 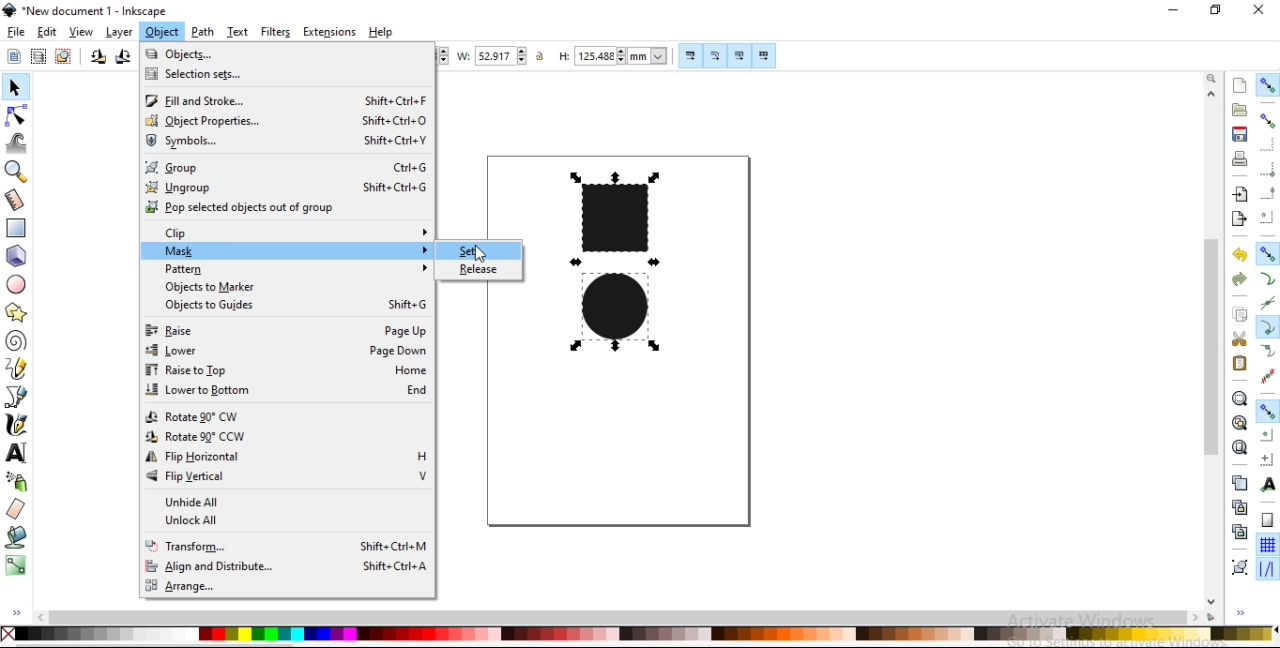 What do you see at coordinates (1241, 485) in the screenshot?
I see `duplicate selected objects` at bounding box center [1241, 485].